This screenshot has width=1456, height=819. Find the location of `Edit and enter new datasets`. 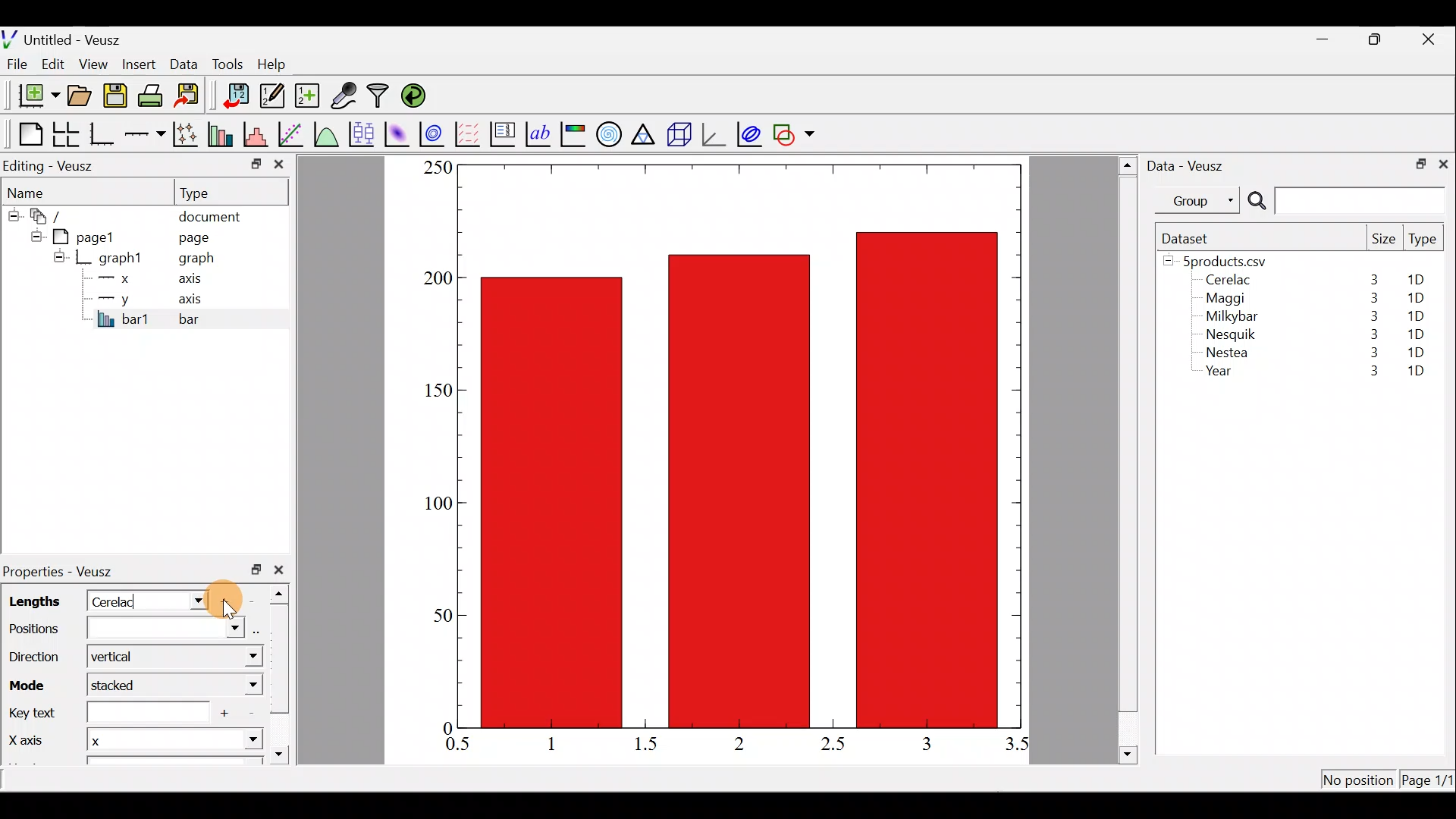

Edit and enter new datasets is located at coordinates (272, 96).